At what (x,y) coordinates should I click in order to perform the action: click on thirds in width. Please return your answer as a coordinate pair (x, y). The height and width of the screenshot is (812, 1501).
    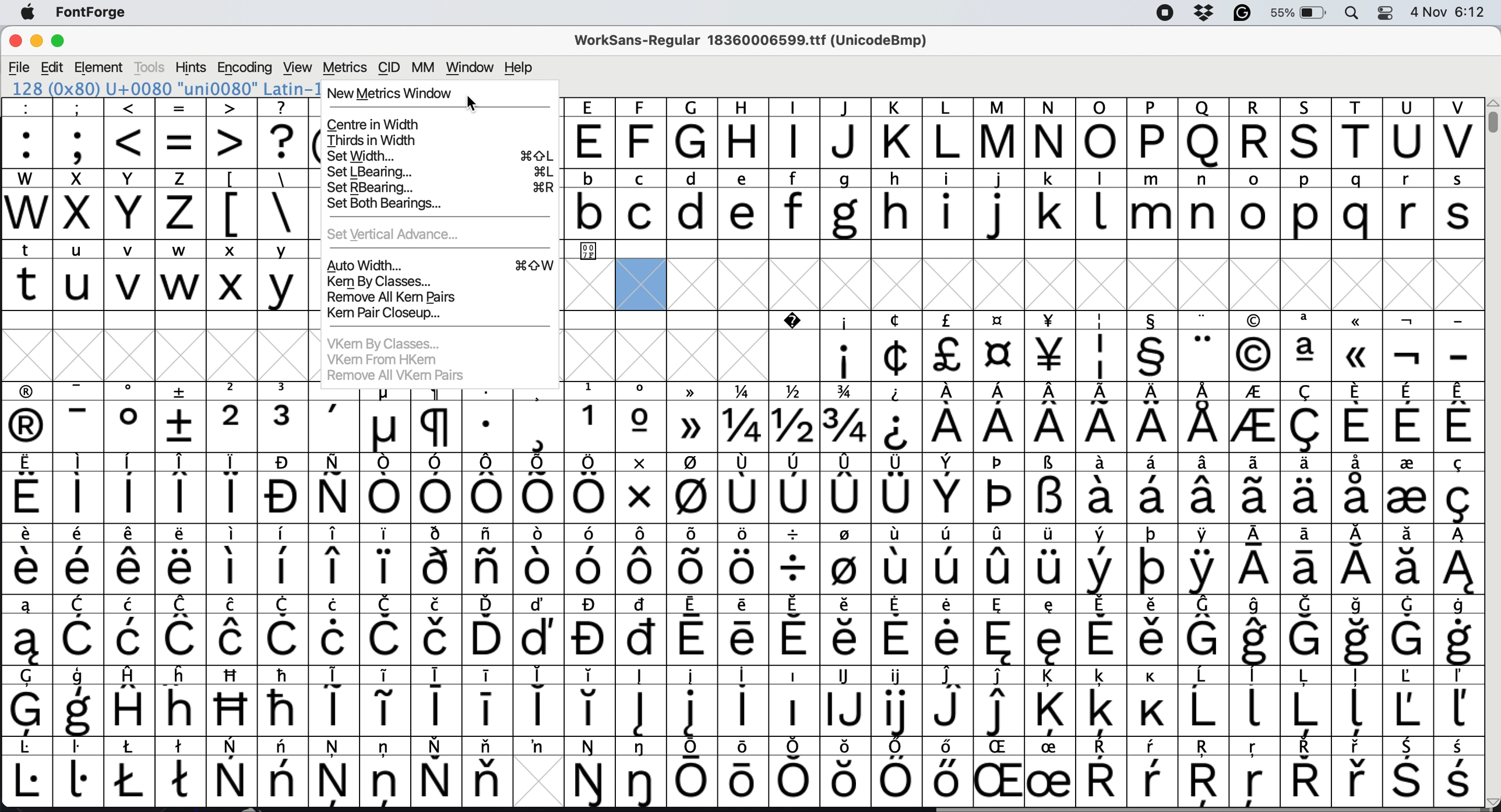
    Looking at the image, I should click on (374, 140).